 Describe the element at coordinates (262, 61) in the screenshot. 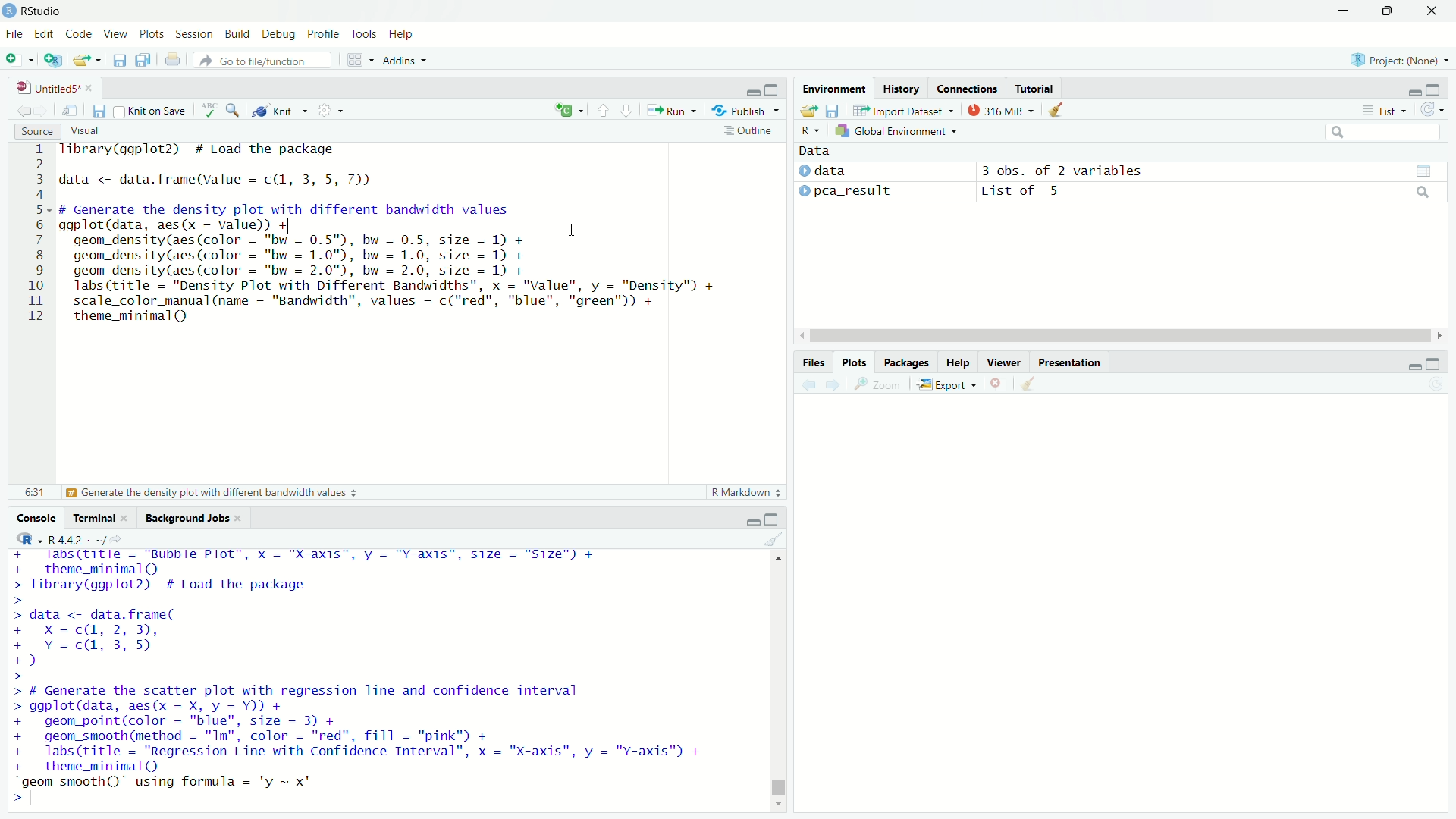

I see `Go to file/function` at that location.